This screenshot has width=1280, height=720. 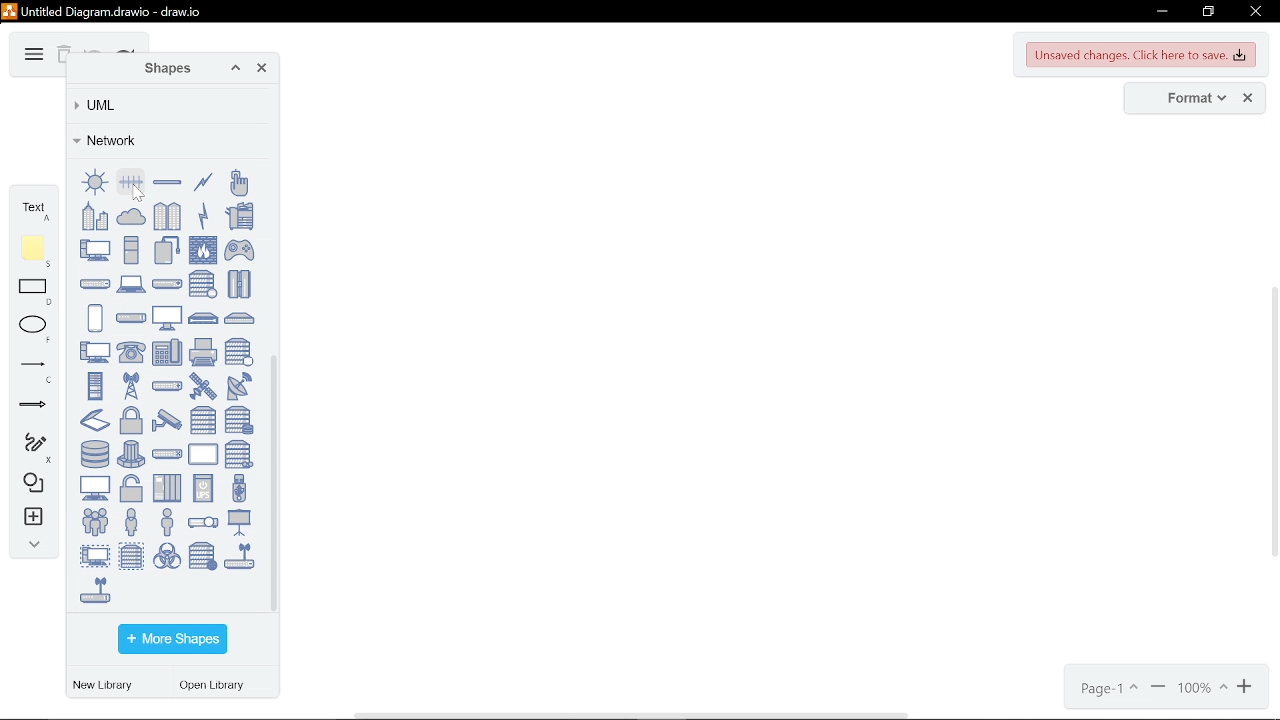 What do you see at coordinates (131, 182) in the screenshot?
I see `bus` at bounding box center [131, 182].